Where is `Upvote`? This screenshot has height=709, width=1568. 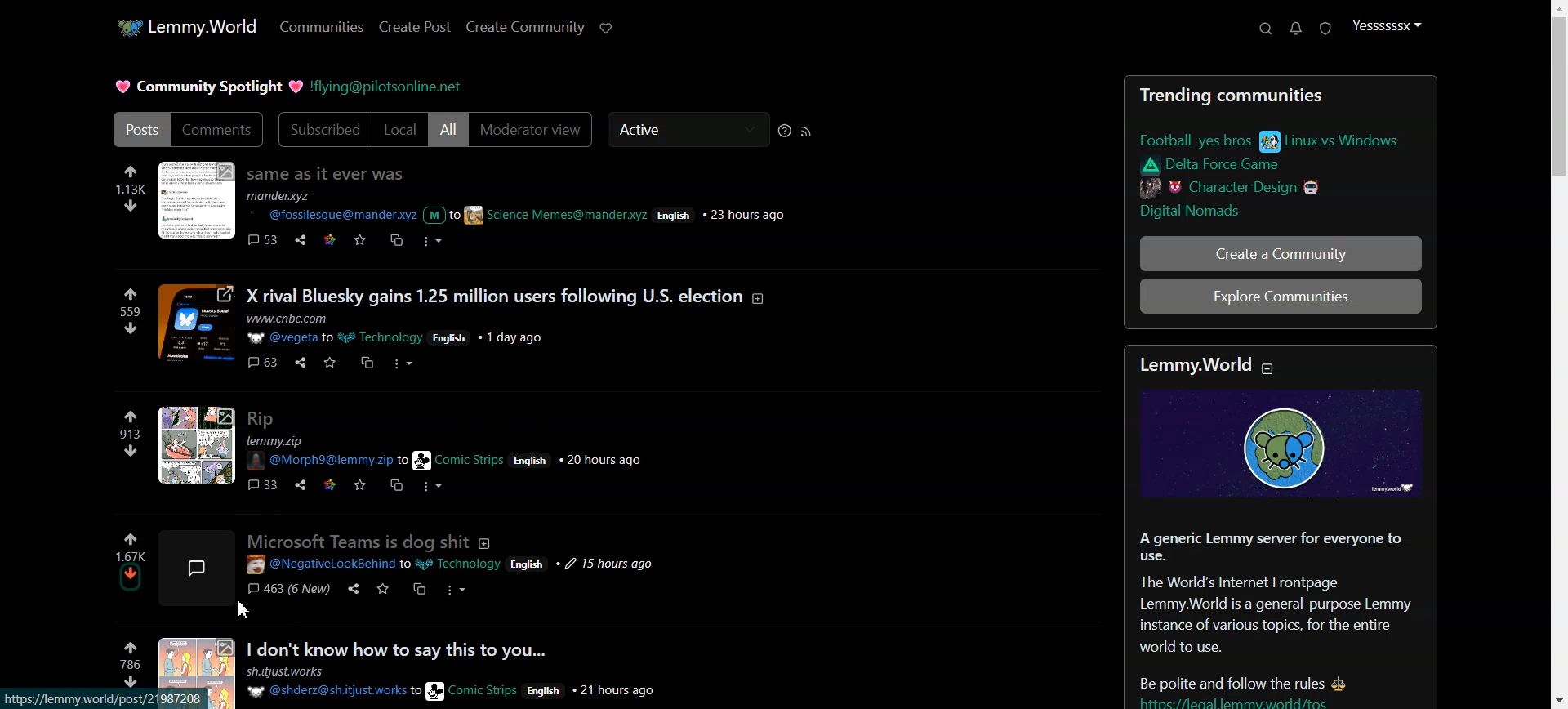 Upvote is located at coordinates (131, 546).